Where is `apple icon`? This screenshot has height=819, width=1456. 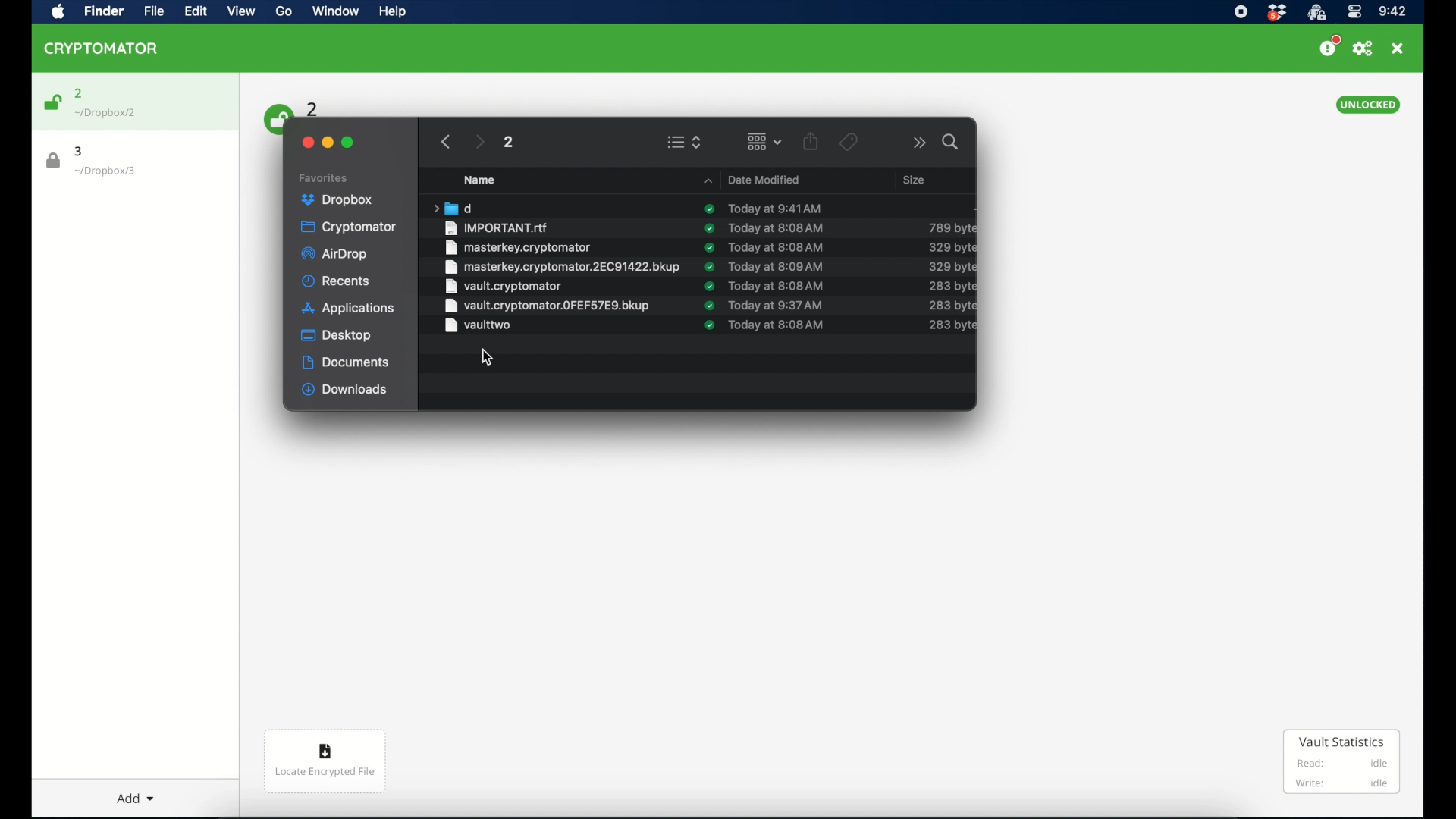
apple icon is located at coordinates (58, 12).